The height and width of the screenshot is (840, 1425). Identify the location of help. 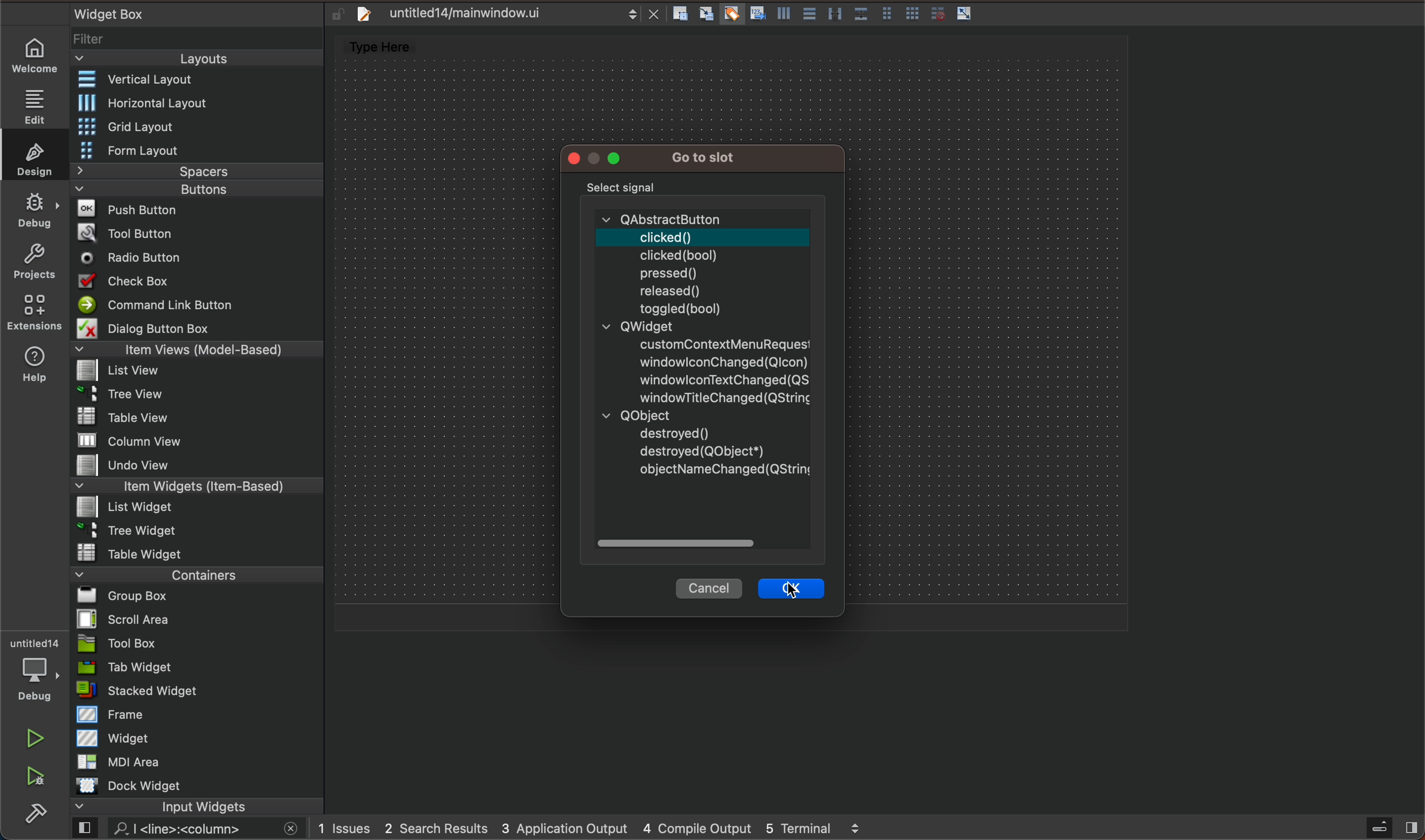
(33, 364).